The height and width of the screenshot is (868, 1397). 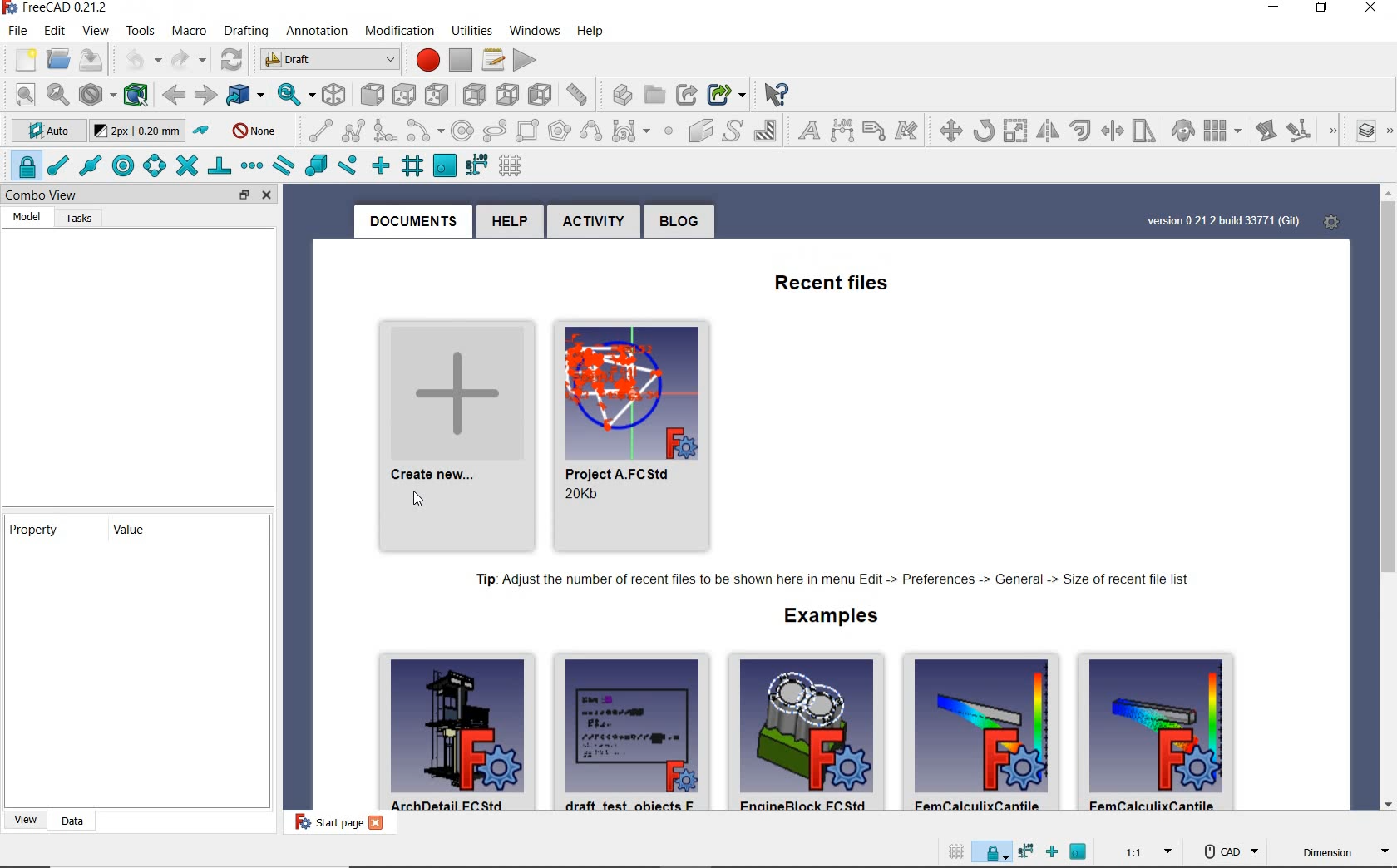 What do you see at coordinates (1014, 130) in the screenshot?
I see `scale` at bounding box center [1014, 130].